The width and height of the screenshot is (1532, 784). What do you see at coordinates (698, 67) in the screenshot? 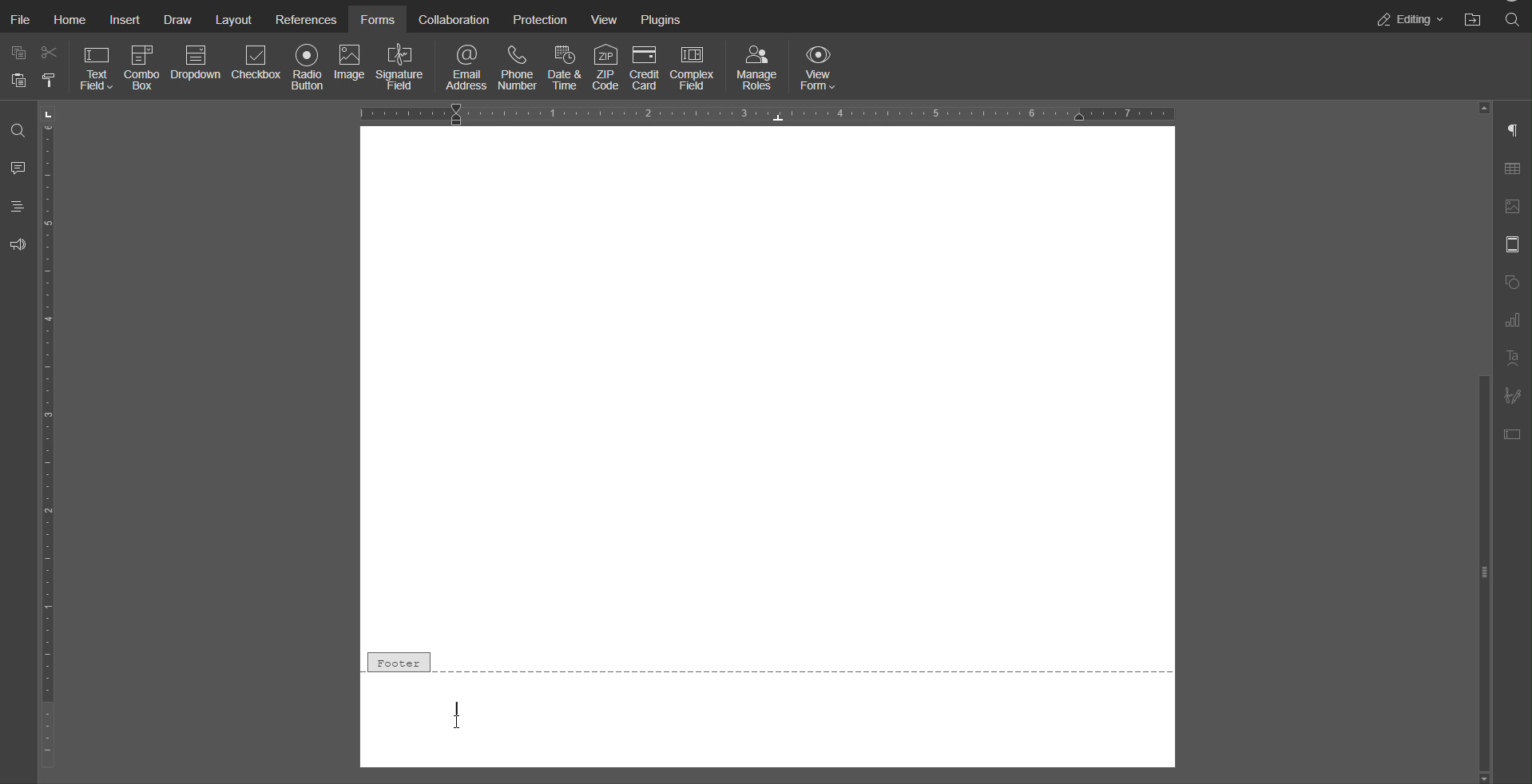
I see `Complex Field` at bounding box center [698, 67].